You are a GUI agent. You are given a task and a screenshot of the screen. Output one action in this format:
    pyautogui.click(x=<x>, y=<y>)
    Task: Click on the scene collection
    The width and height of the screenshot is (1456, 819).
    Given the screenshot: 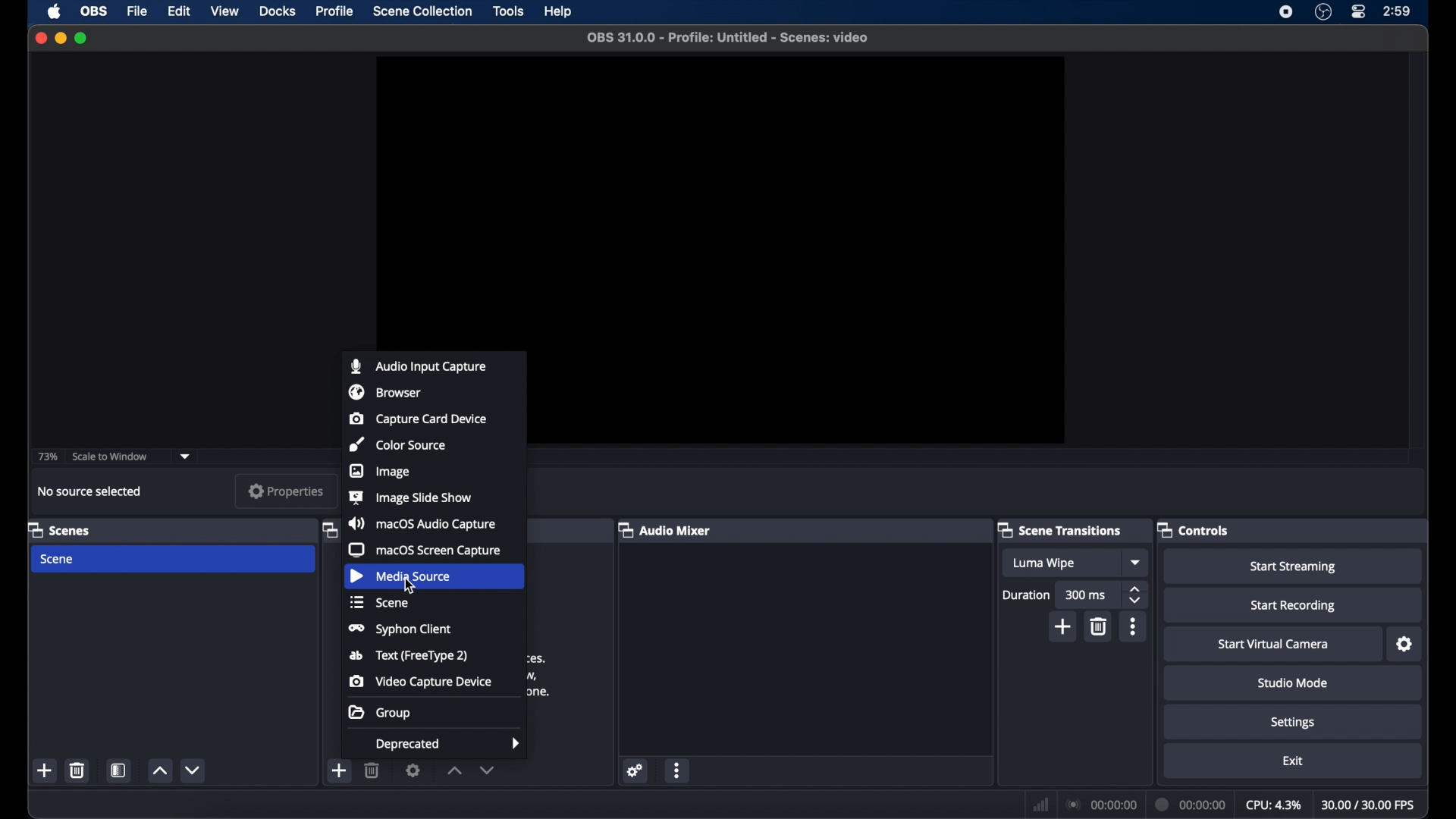 What is the action you would take?
    pyautogui.click(x=422, y=11)
    